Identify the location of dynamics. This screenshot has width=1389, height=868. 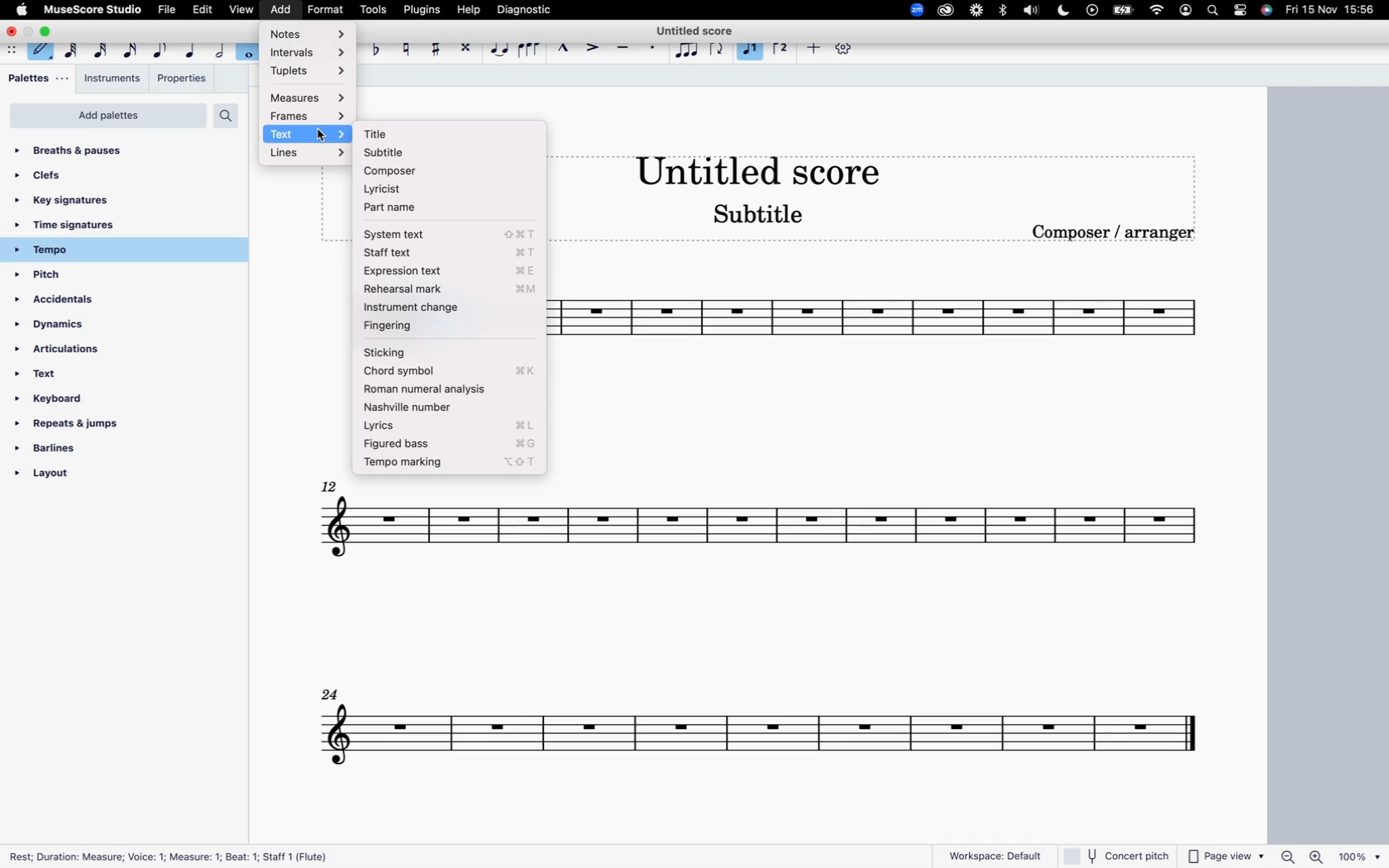
(84, 326).